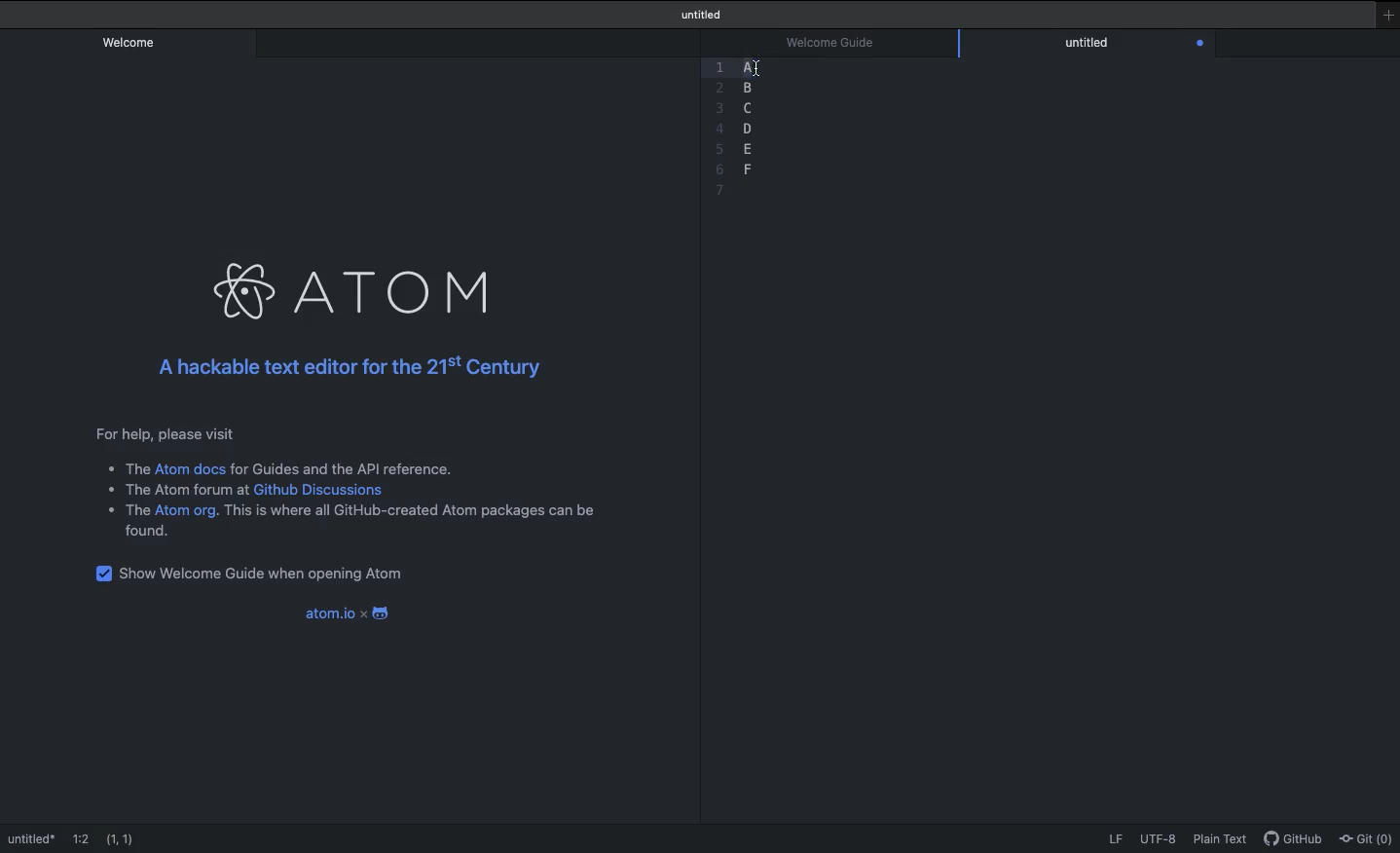 The width and height of the screenshot is (1400, 853). Describe the element at coordinates (1368, 839) in the screenshot. I see `Git` at that location.